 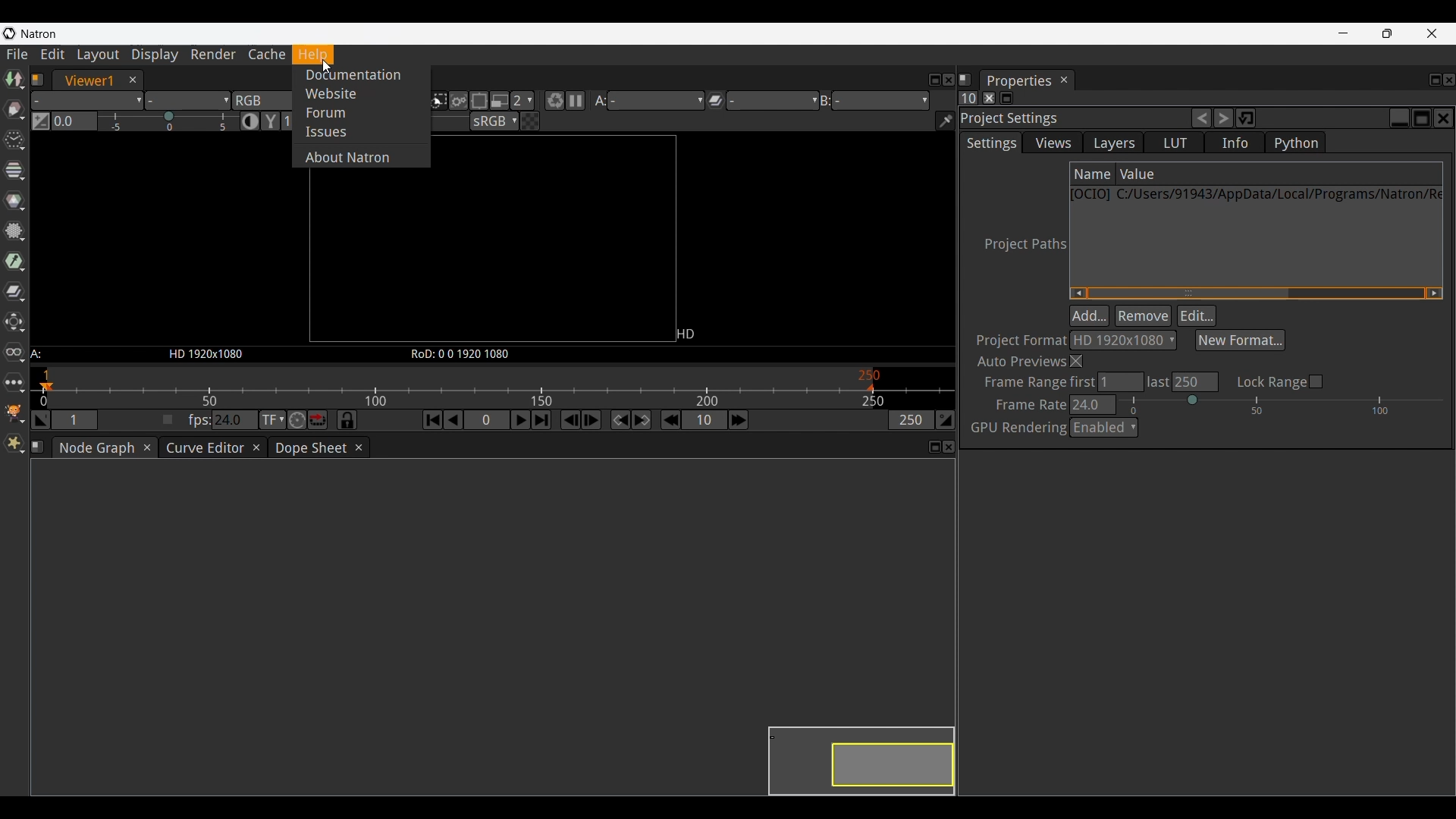 I want to click on Undo, so click(x=1201, y=118).